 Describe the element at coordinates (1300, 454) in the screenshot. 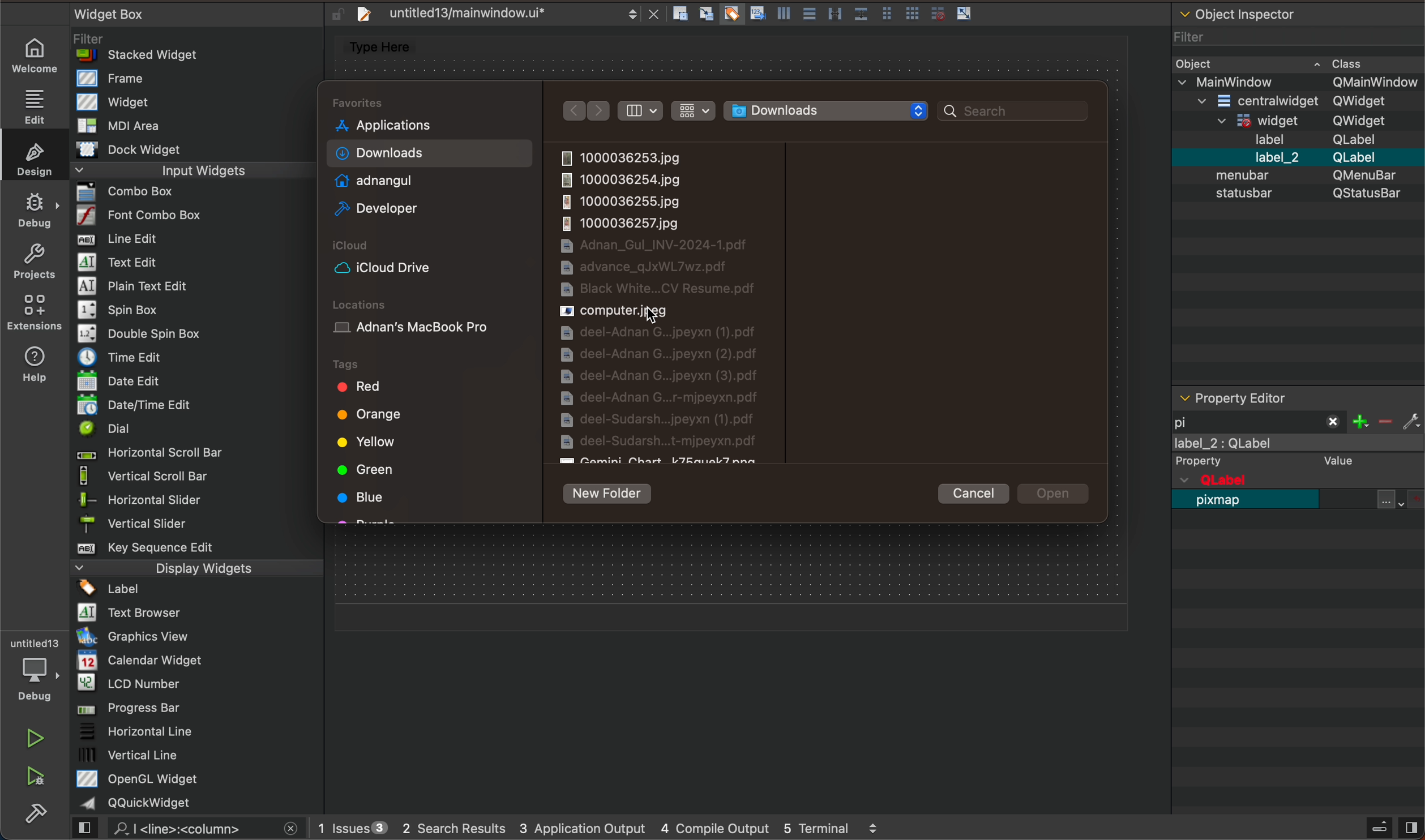

I see `label` at that location.